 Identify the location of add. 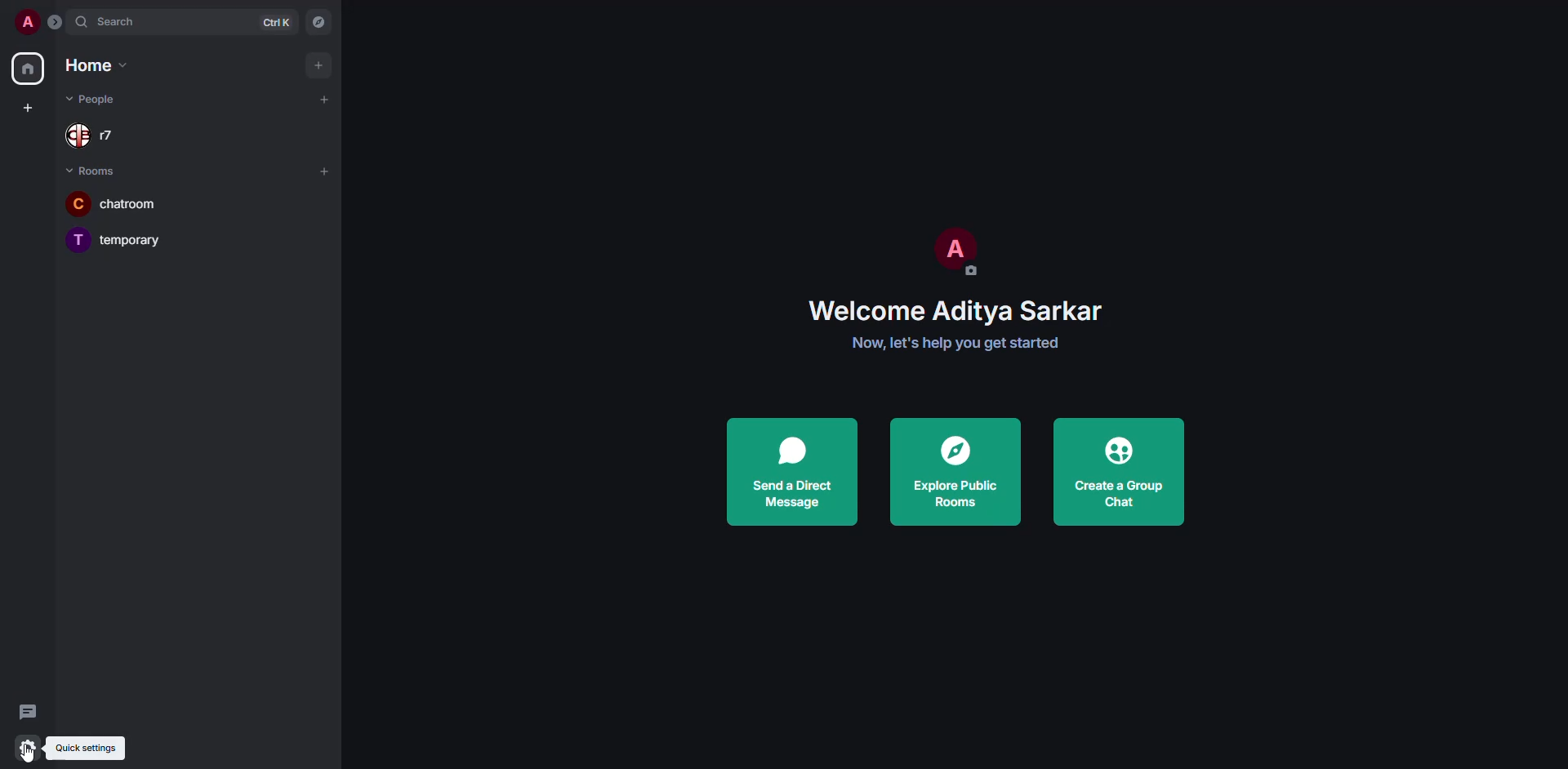
(319, 65).